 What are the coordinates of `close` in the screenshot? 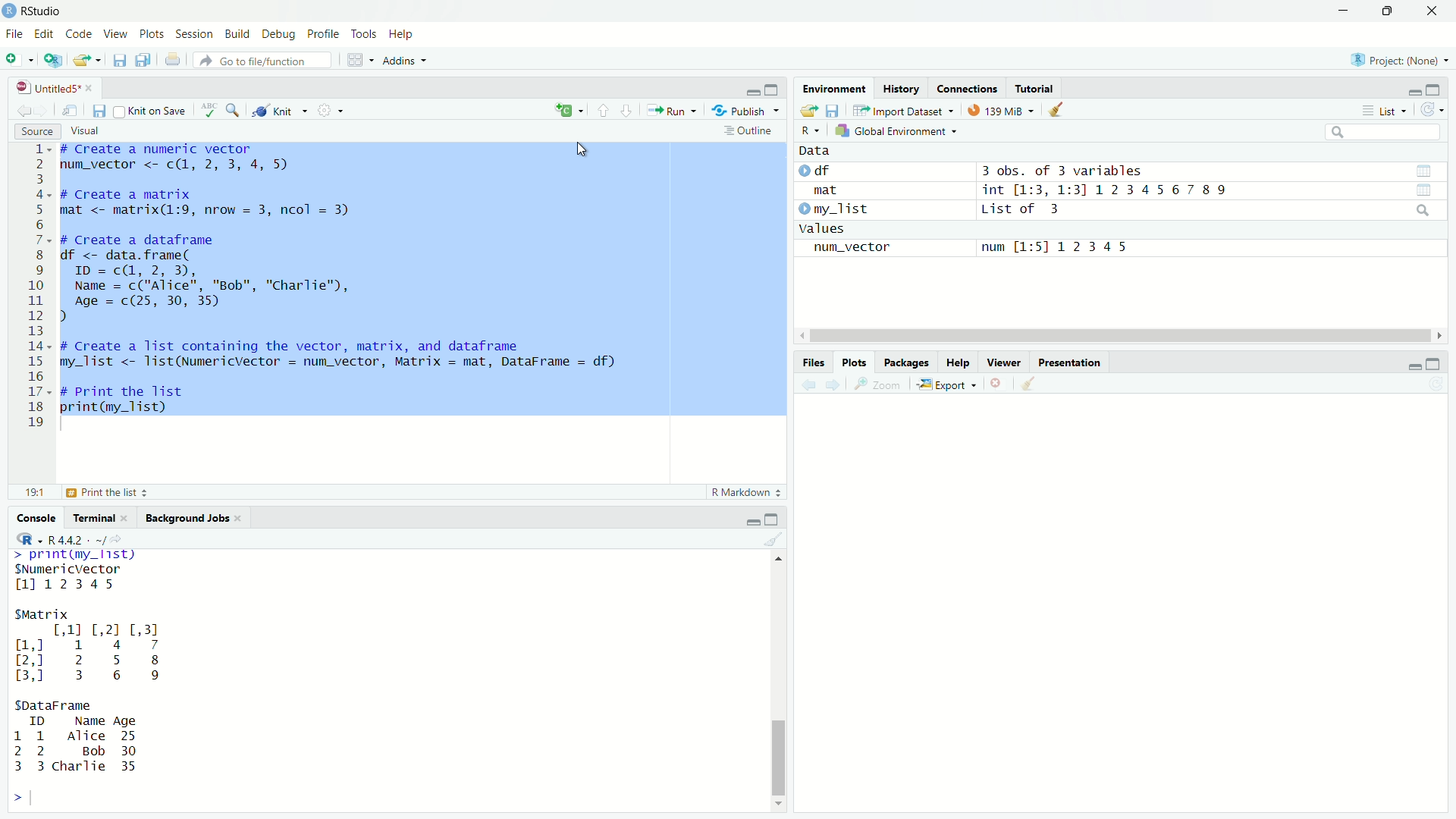 It's located at (1003, 384).